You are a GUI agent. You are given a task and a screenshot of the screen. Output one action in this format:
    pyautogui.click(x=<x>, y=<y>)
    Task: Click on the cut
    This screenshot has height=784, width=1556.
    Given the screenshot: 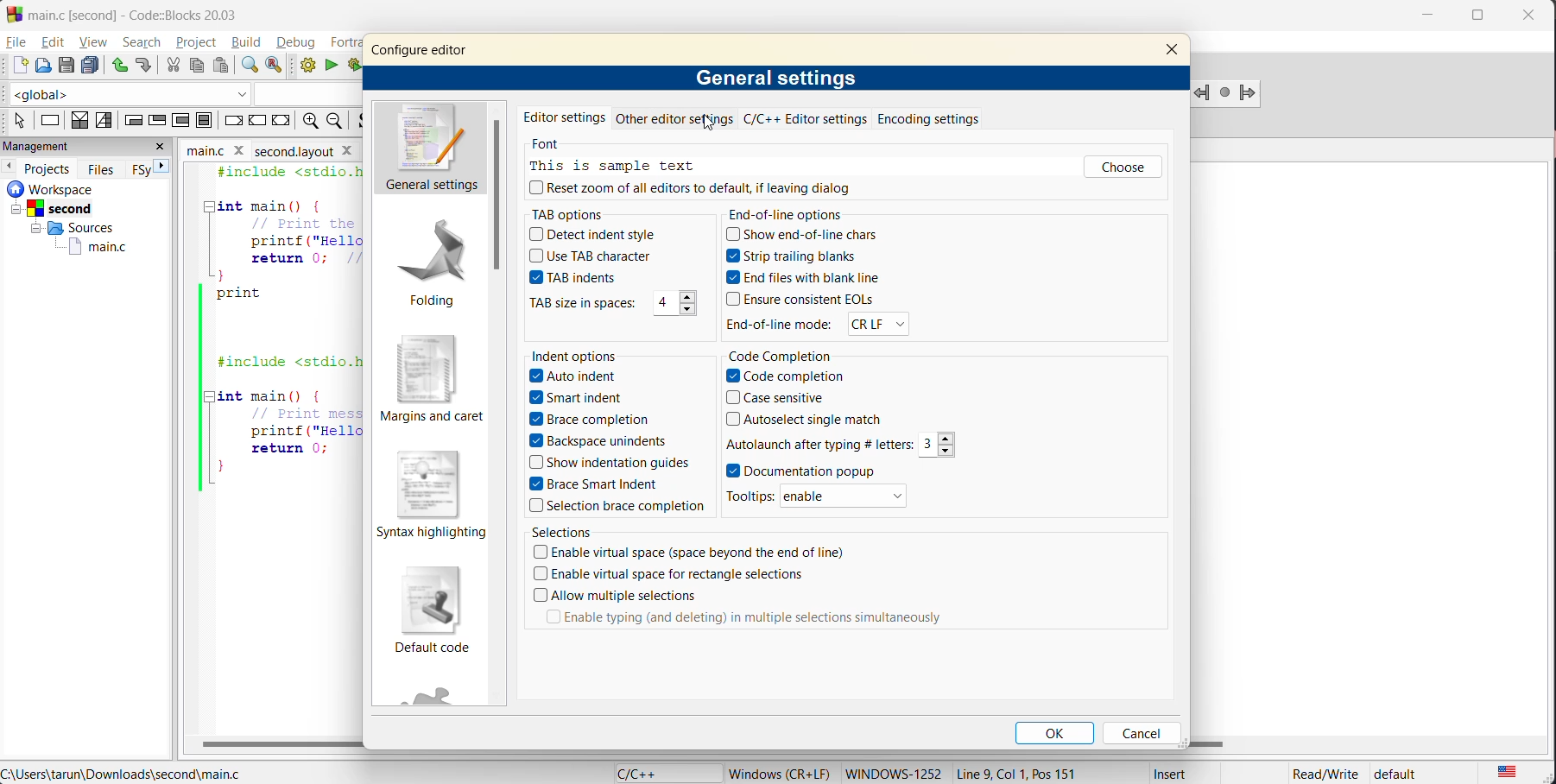 What is the action you would take?
    pyautogui.click(x=169, y=65)
    